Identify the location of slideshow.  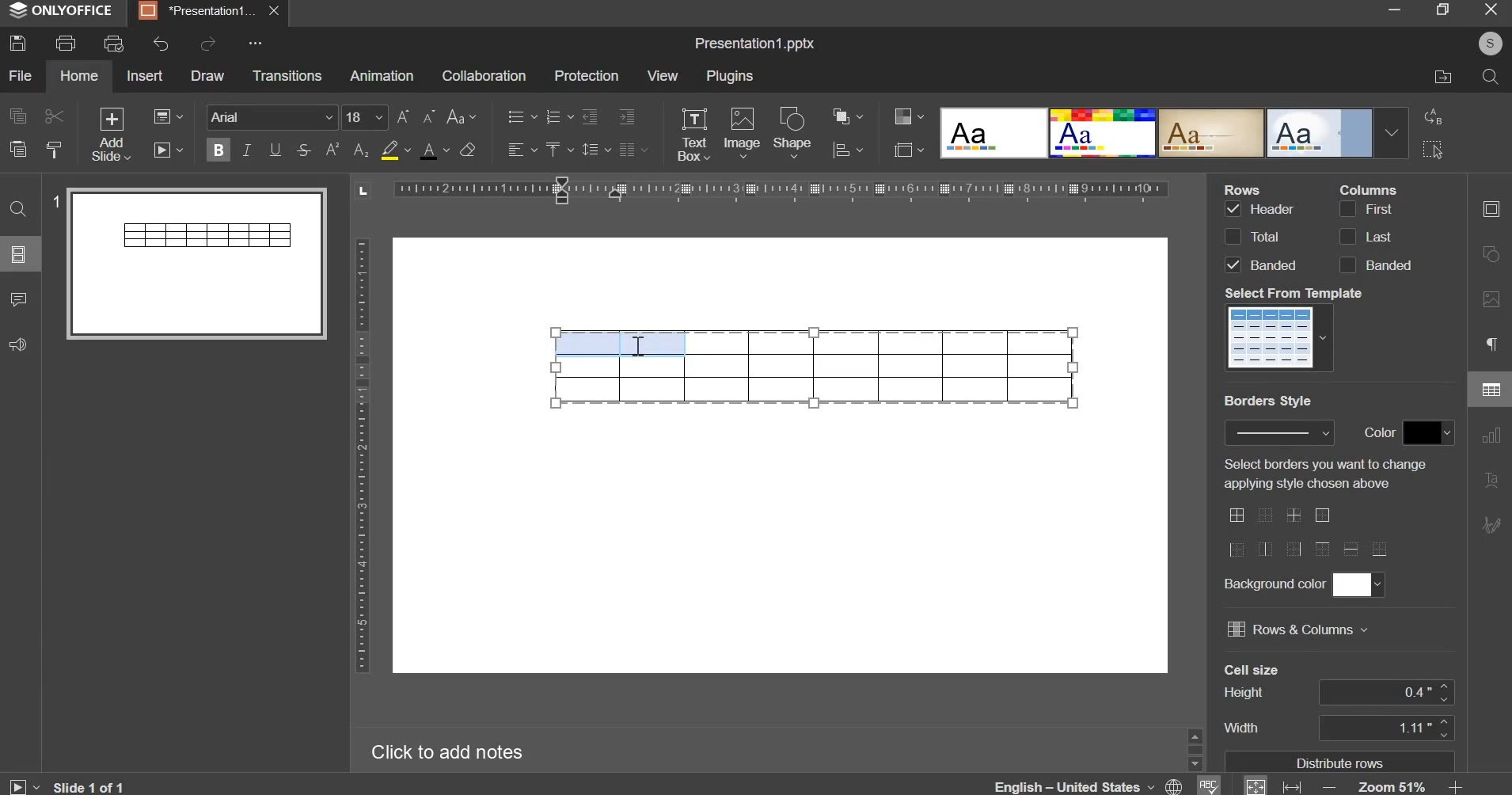
(169, 148).